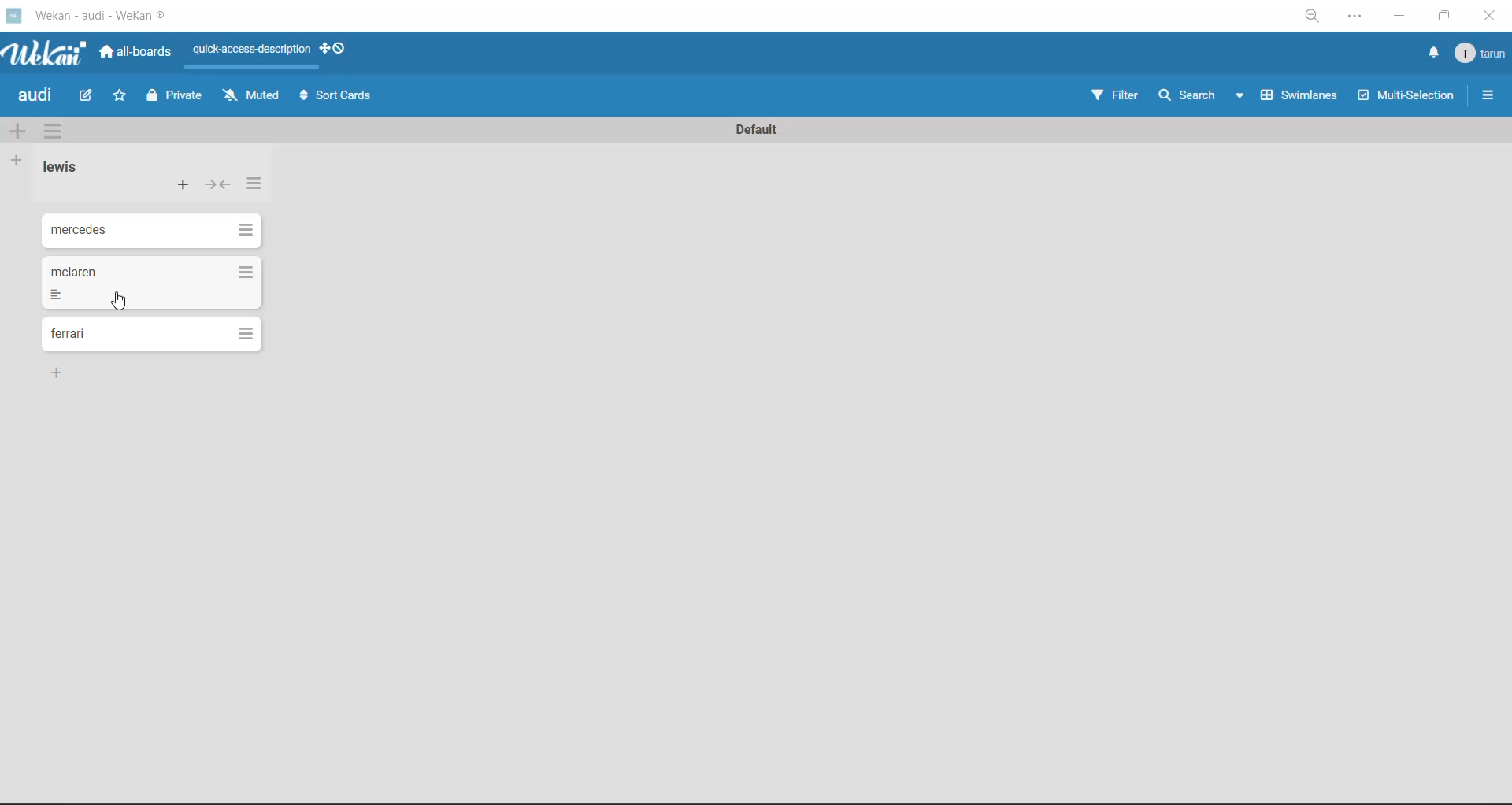  Describe the element at coordinates (39, 95) in the screenshot. I see `board title` at that location.